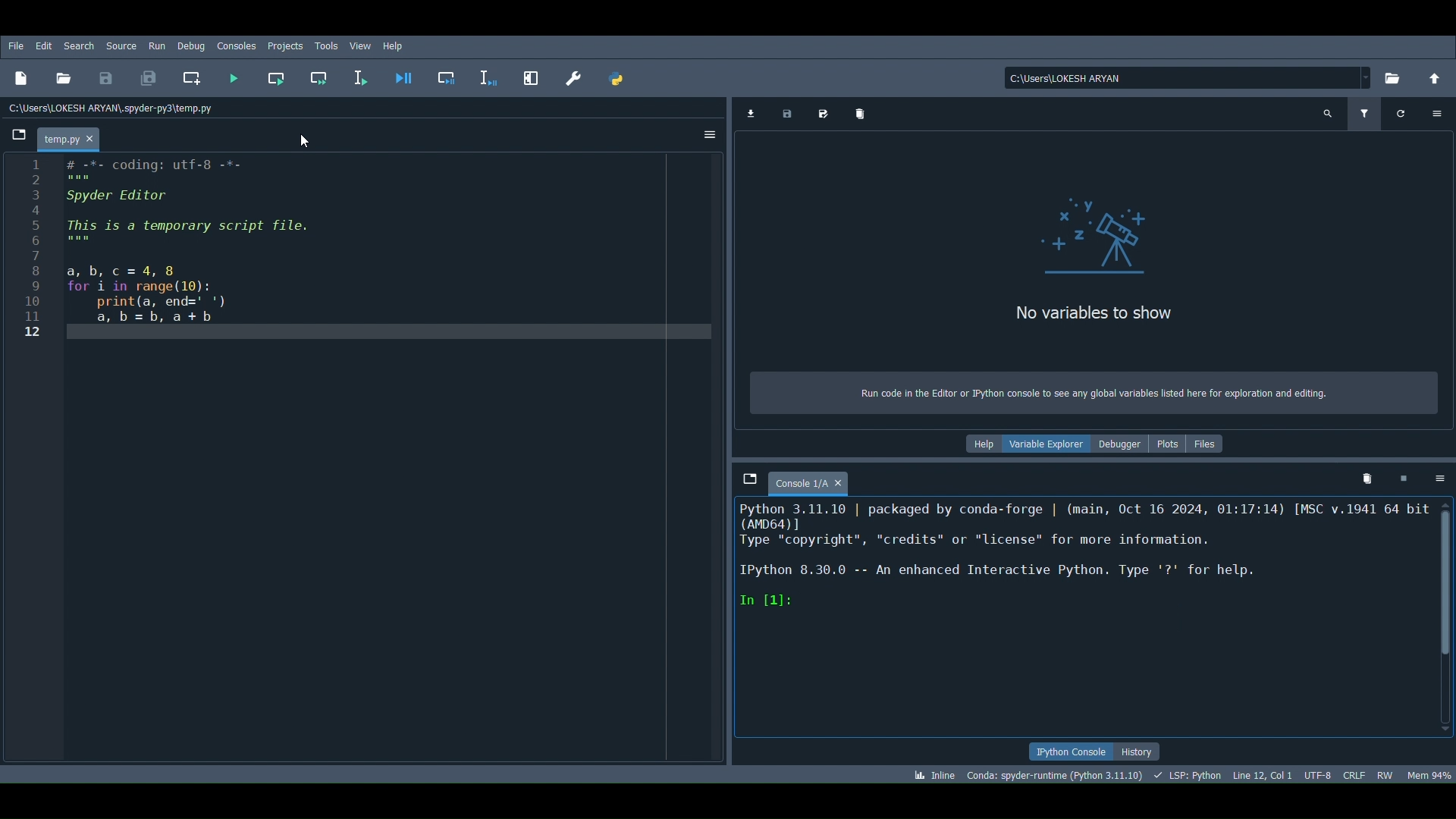 The image size is (1456, 819). What do you see at coordinates (1147, 752) in the screenshot?
I see `History` at bounding box center [1147, 752].